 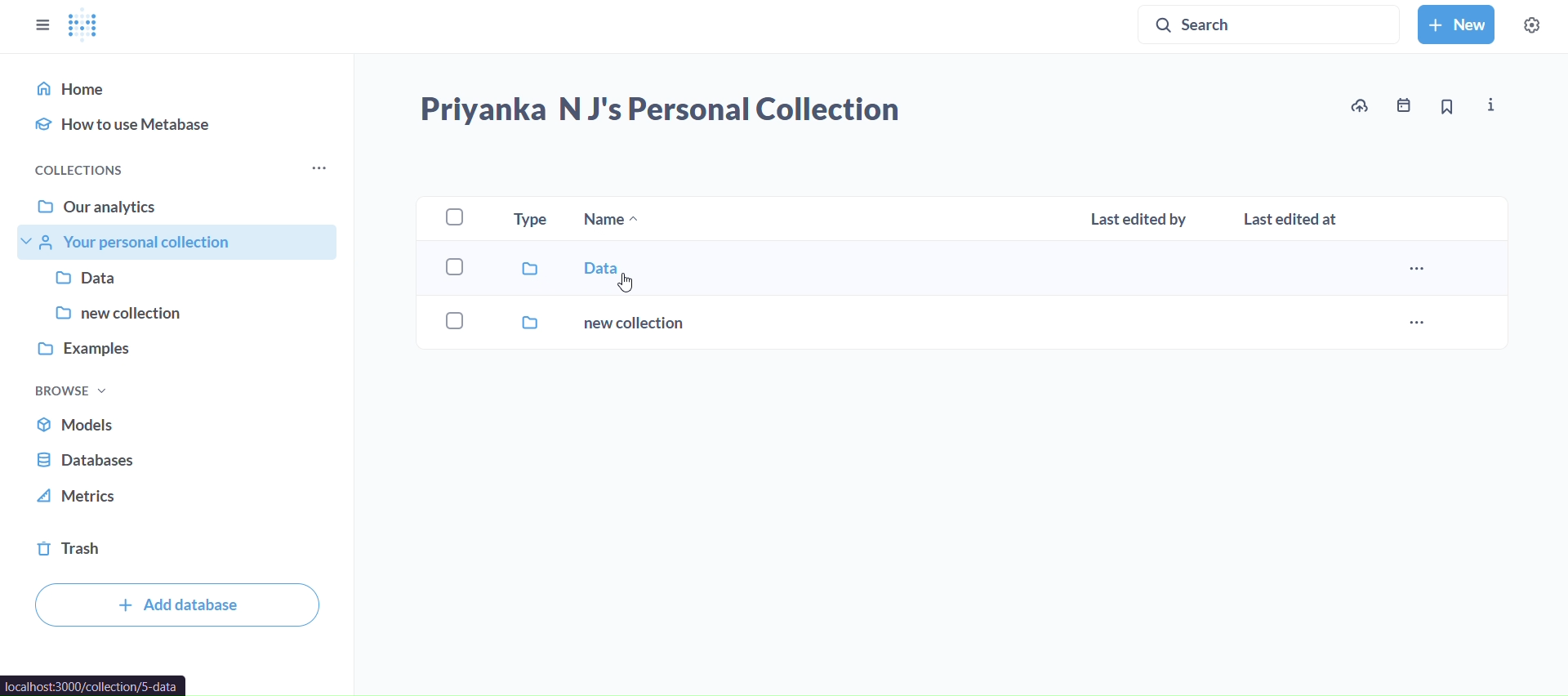 I want to click on mo, so click(x=317, y=168).